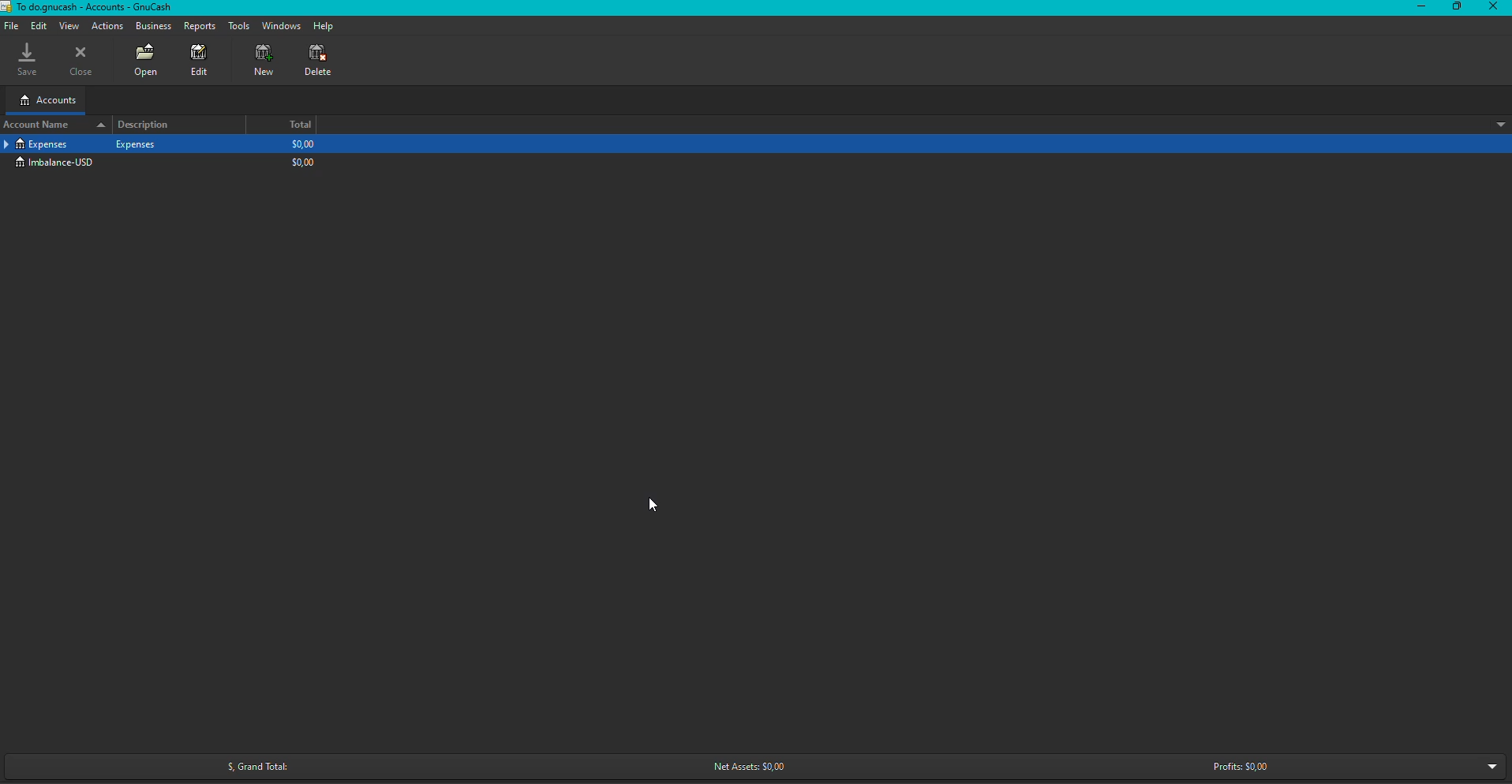 This screenshot has height=784, width=1512. Describe the element at coordinates (310, 61) in the screenshot. I see `Delete` at that location.